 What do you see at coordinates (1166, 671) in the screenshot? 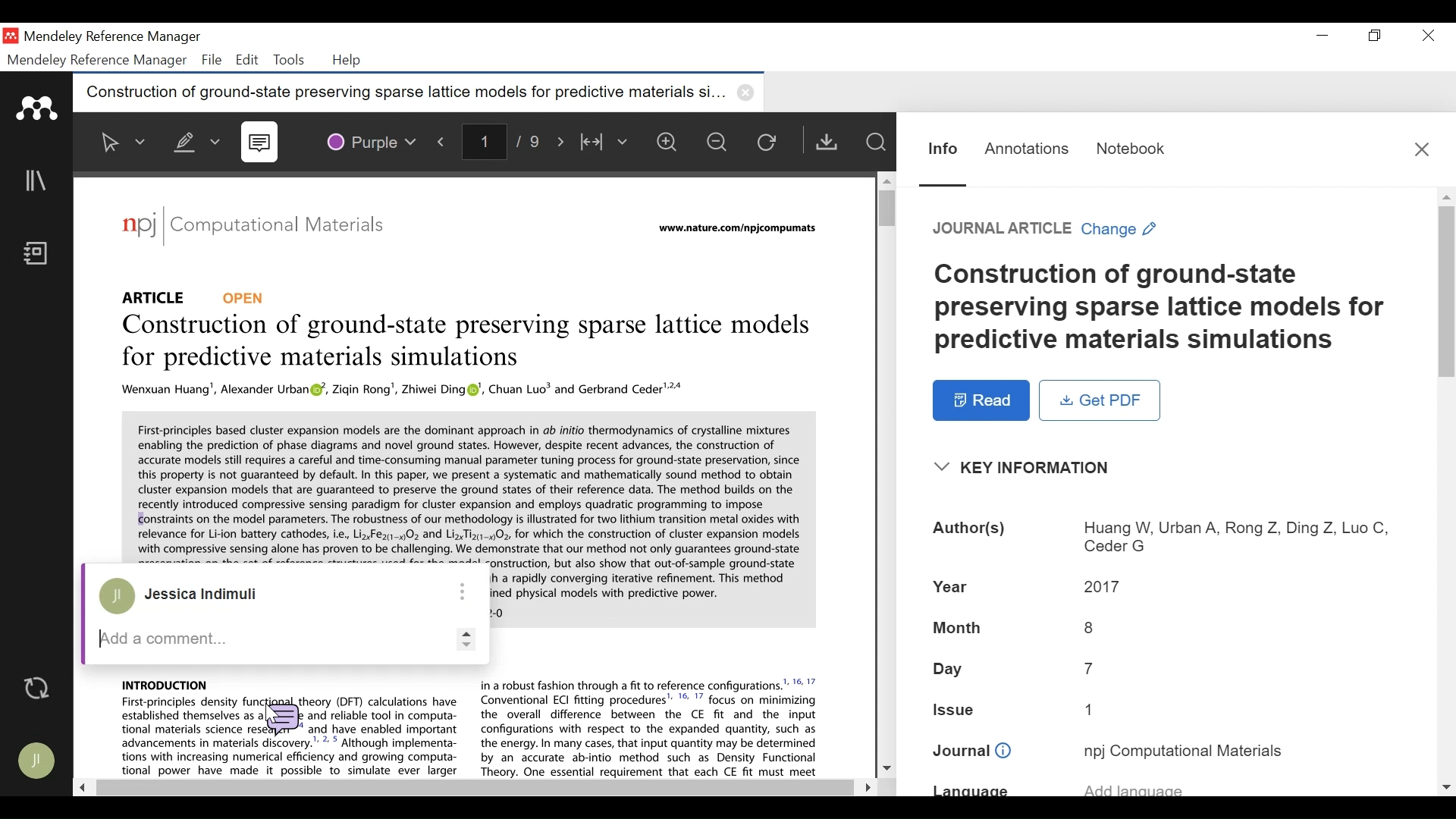
I see `Day` at bounding box center [1166, 671].